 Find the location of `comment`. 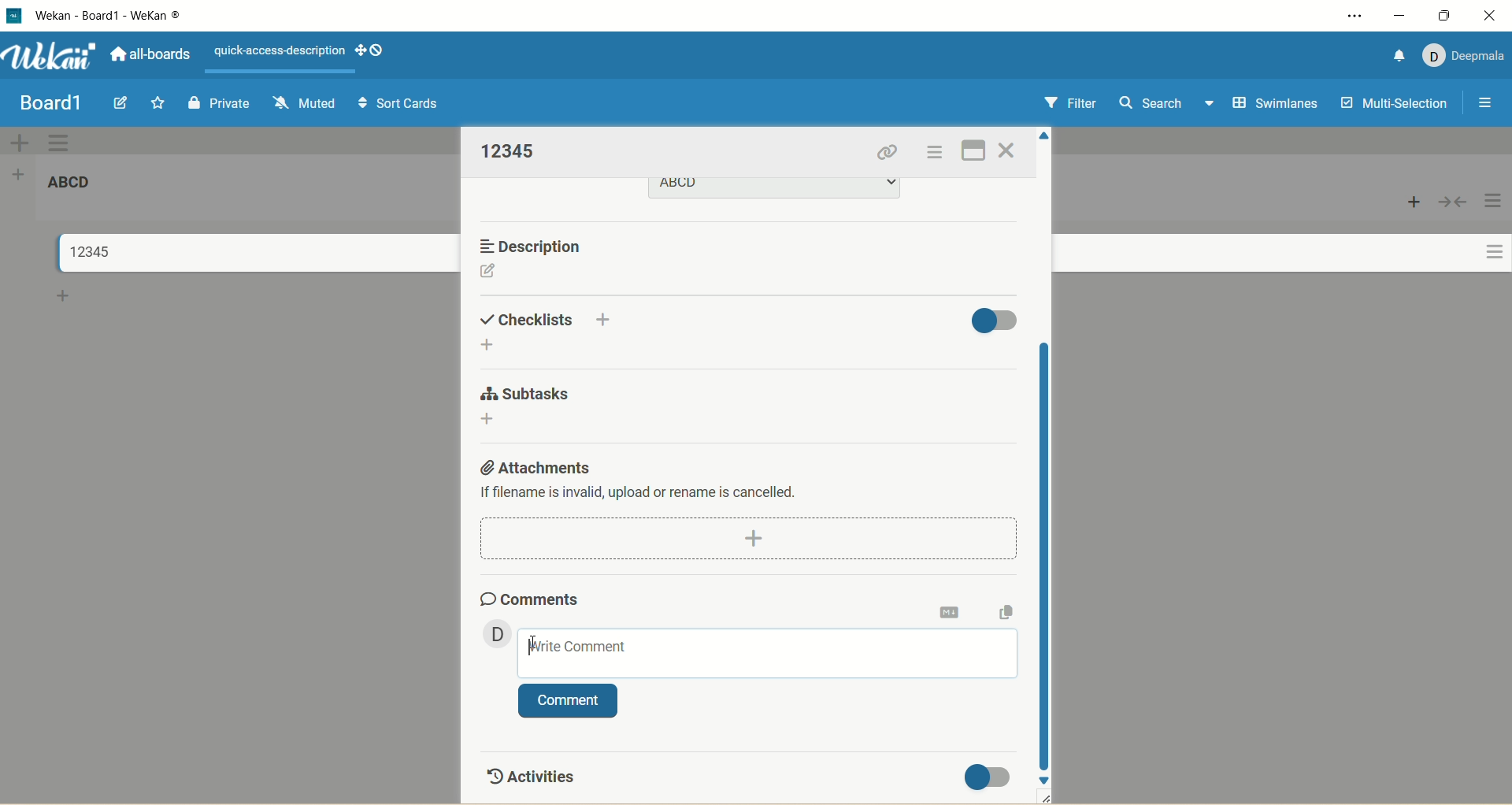

comment is located at coordinates (568, 702).